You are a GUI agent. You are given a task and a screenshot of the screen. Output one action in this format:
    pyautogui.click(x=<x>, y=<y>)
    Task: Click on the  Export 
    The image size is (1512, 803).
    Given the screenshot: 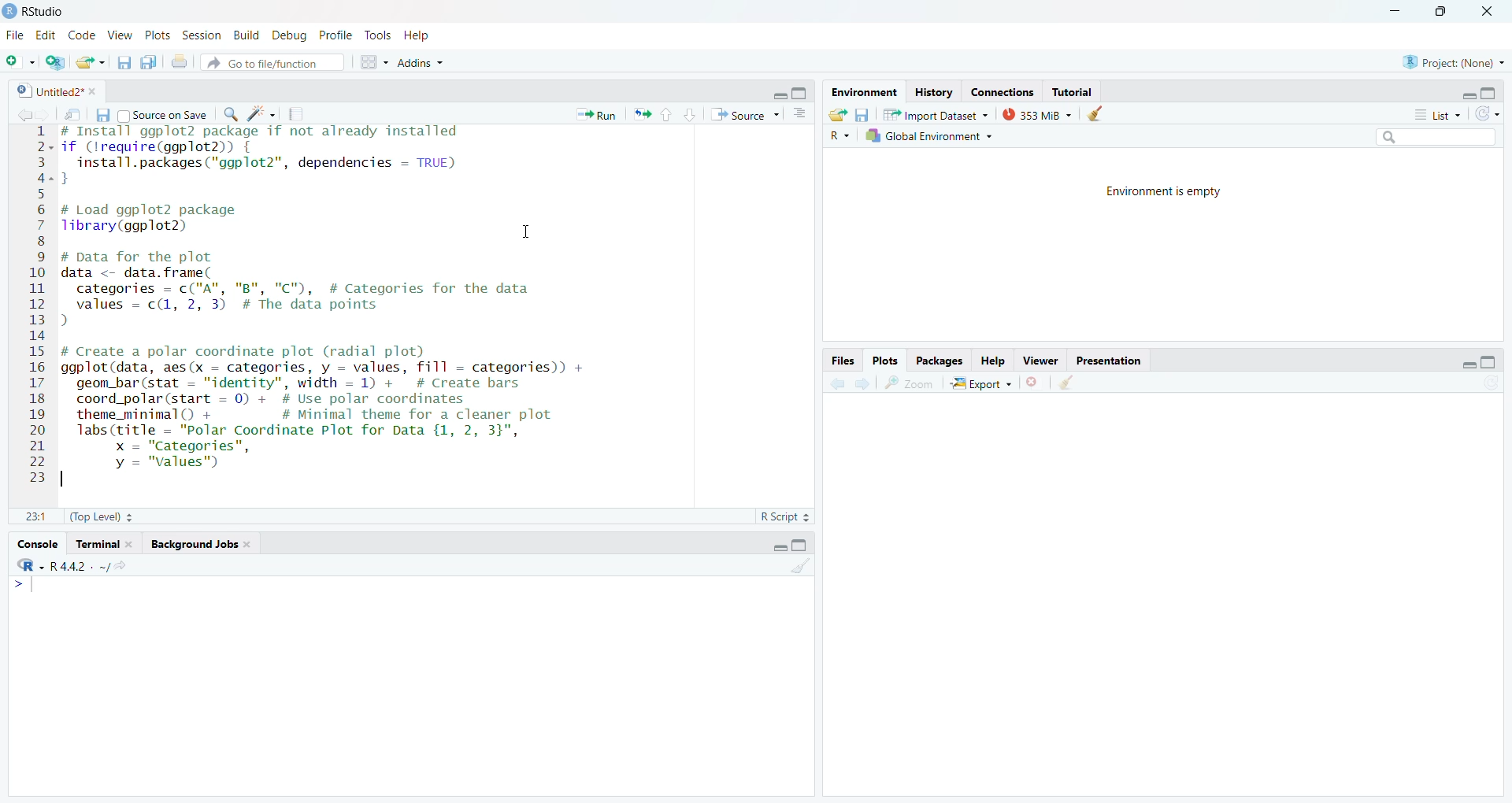 What is the action you would take?
    pyautogui.click(x=980, y=385)
    